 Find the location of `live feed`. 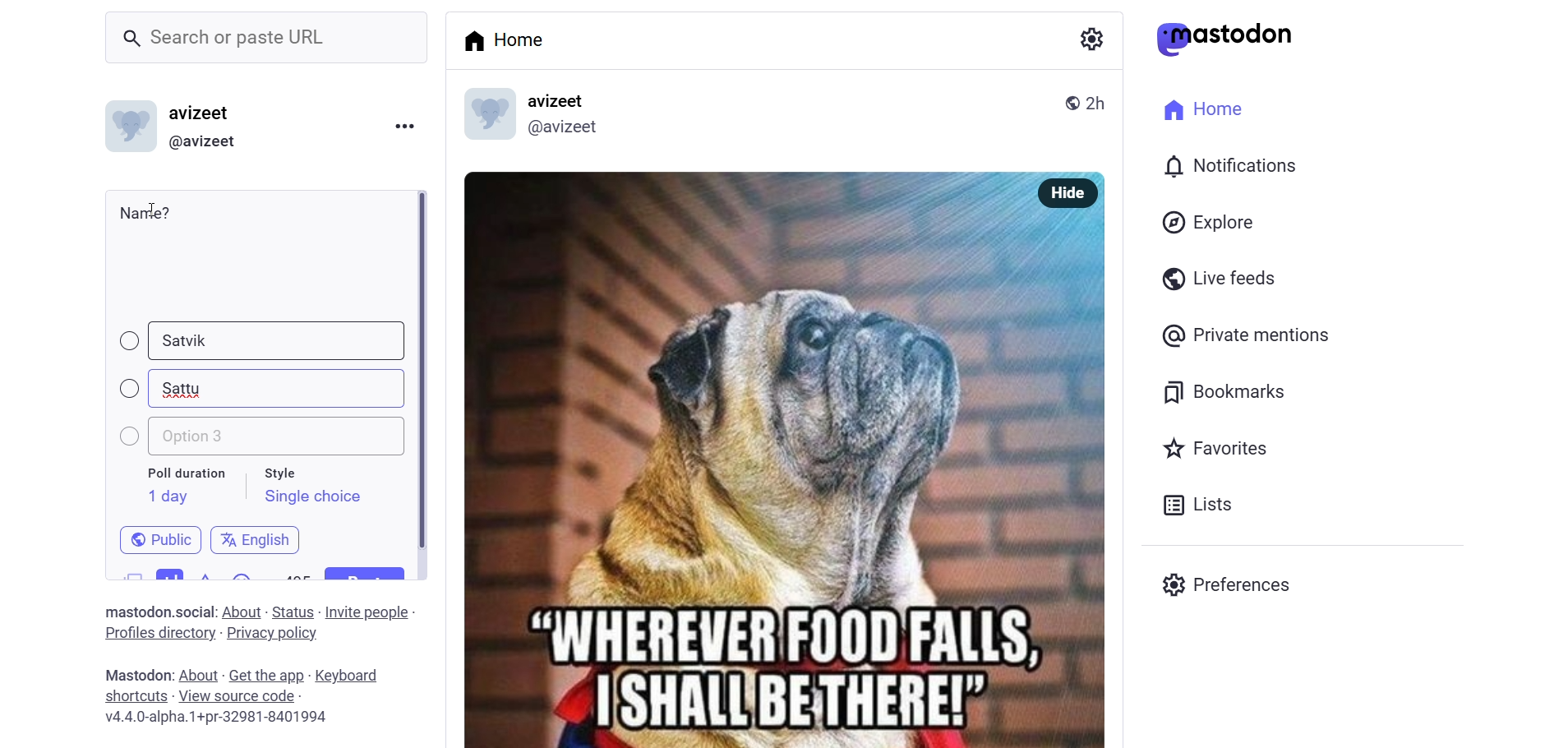

live feed is located at coordinates (1215, 277).